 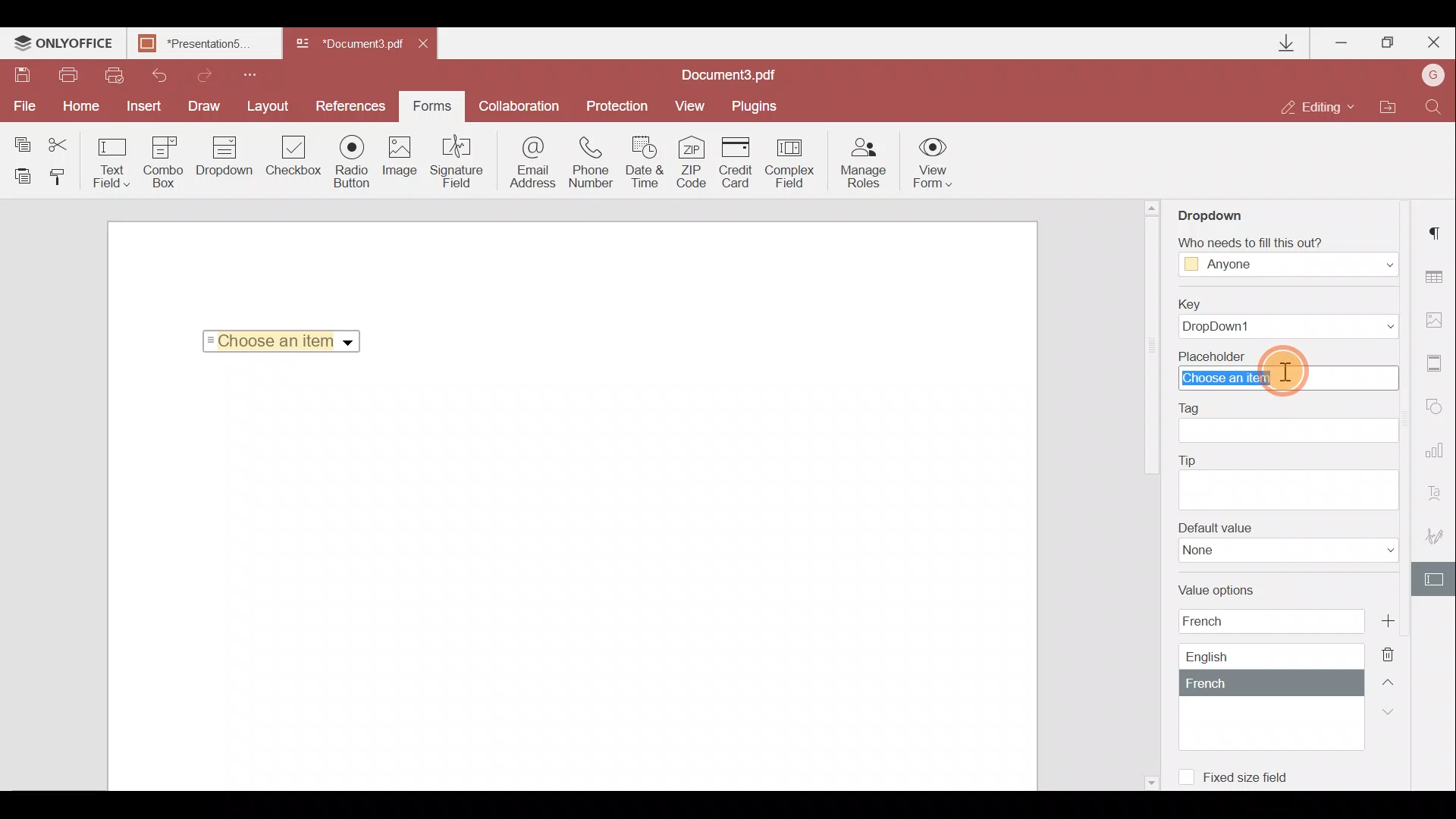 What do you see at coordinates (153, 73) in the screenshot?
I see `Undo` at bounding box center [153, 73].